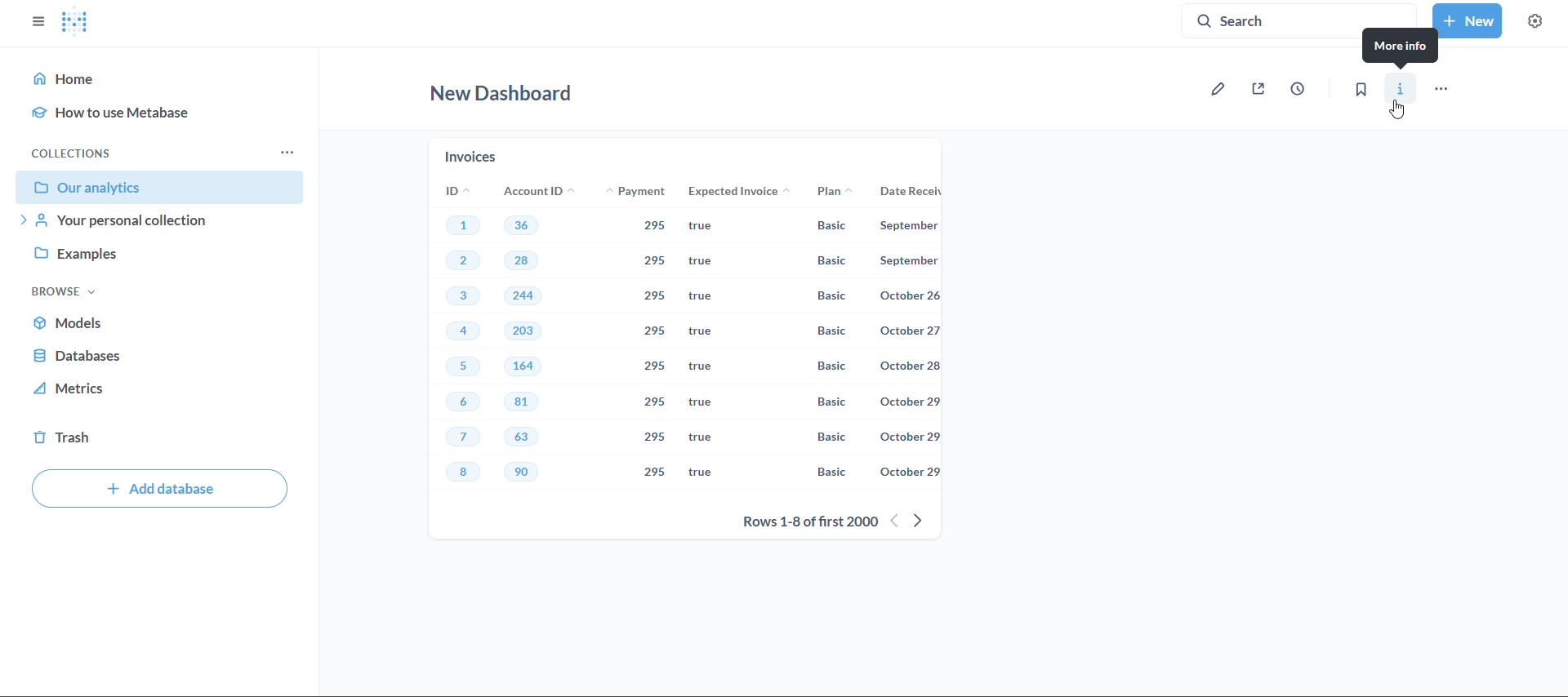 Image resolution: width=1568 pixels, height=697 pixels. Describe the element at coordinates (909, 473) in the screenshot. I see `october 29` at that location.